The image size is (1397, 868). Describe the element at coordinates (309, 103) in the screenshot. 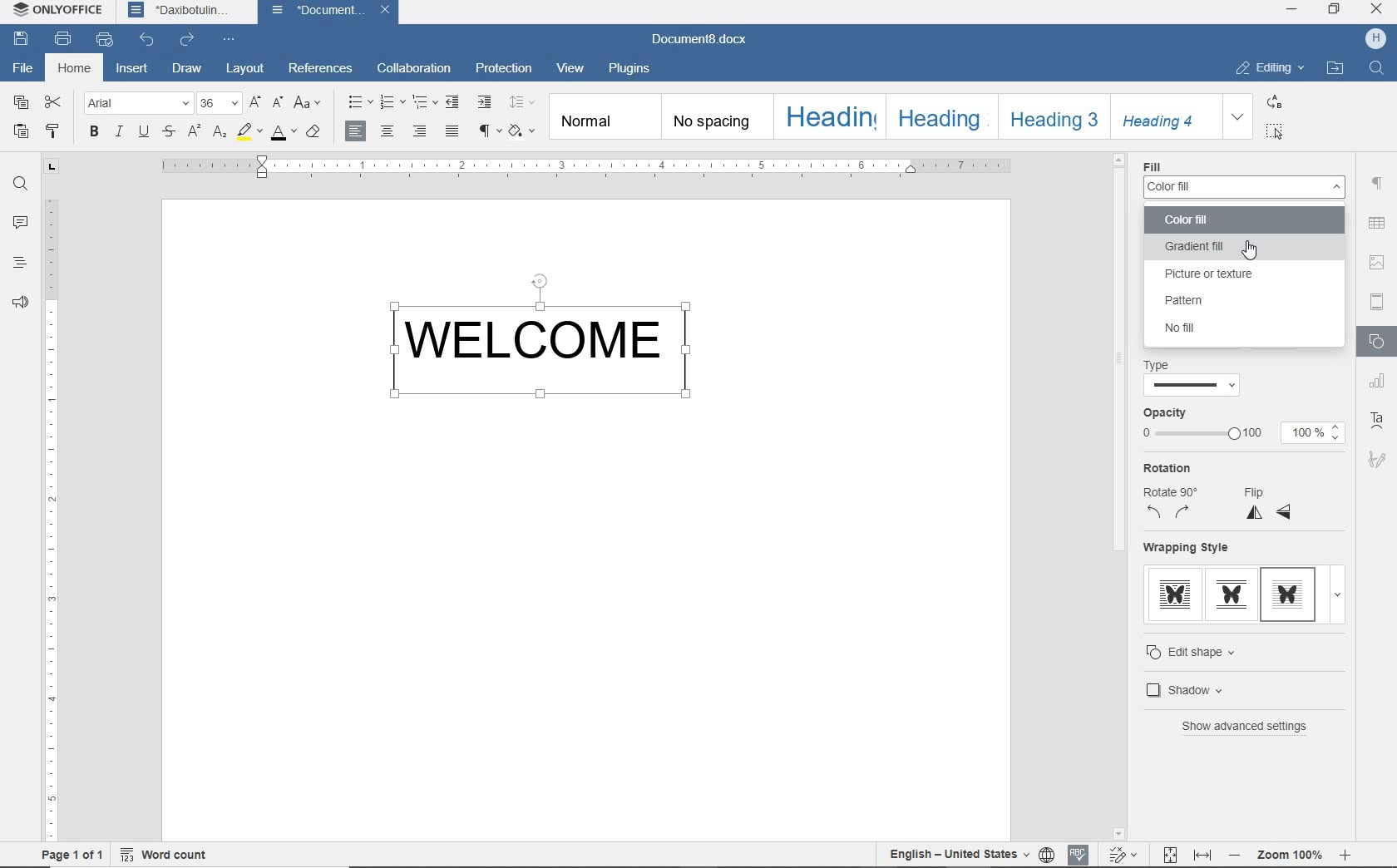

I see `CHANGE CASE` at that location.